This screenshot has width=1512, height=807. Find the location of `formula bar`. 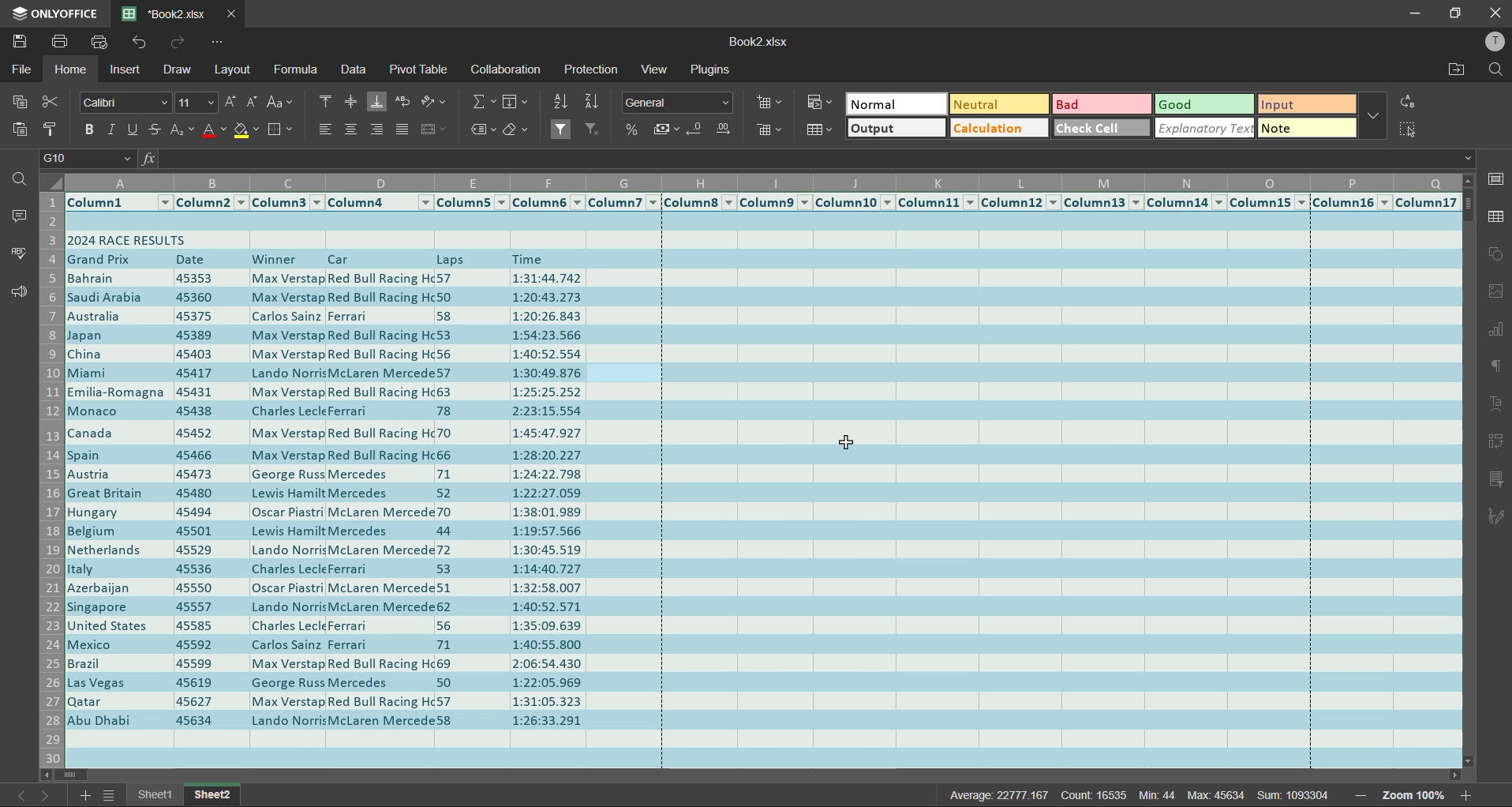

formula bar is located at coordinates (816, 160).